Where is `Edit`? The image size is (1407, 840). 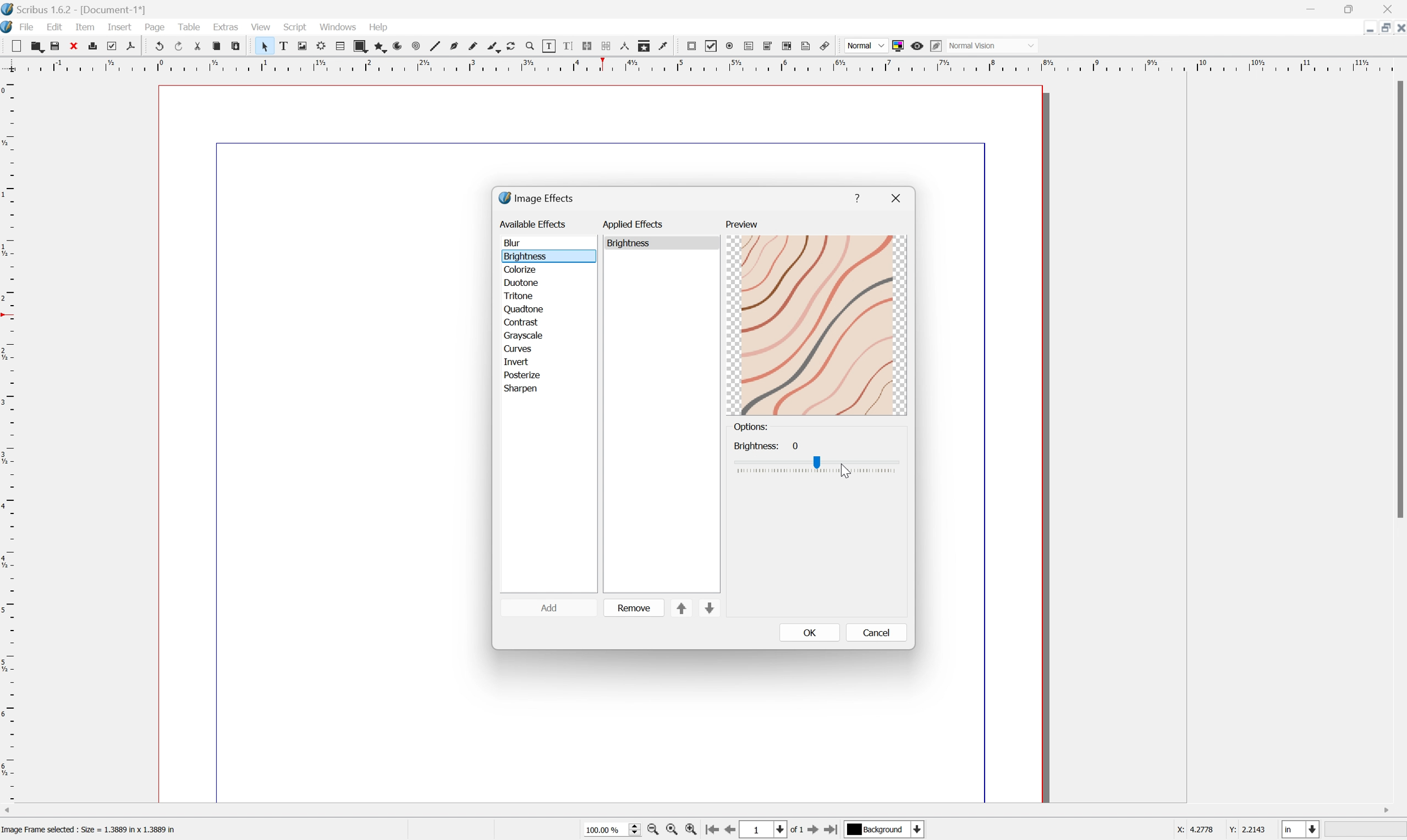
Edit is located at coordinates (53, 27).